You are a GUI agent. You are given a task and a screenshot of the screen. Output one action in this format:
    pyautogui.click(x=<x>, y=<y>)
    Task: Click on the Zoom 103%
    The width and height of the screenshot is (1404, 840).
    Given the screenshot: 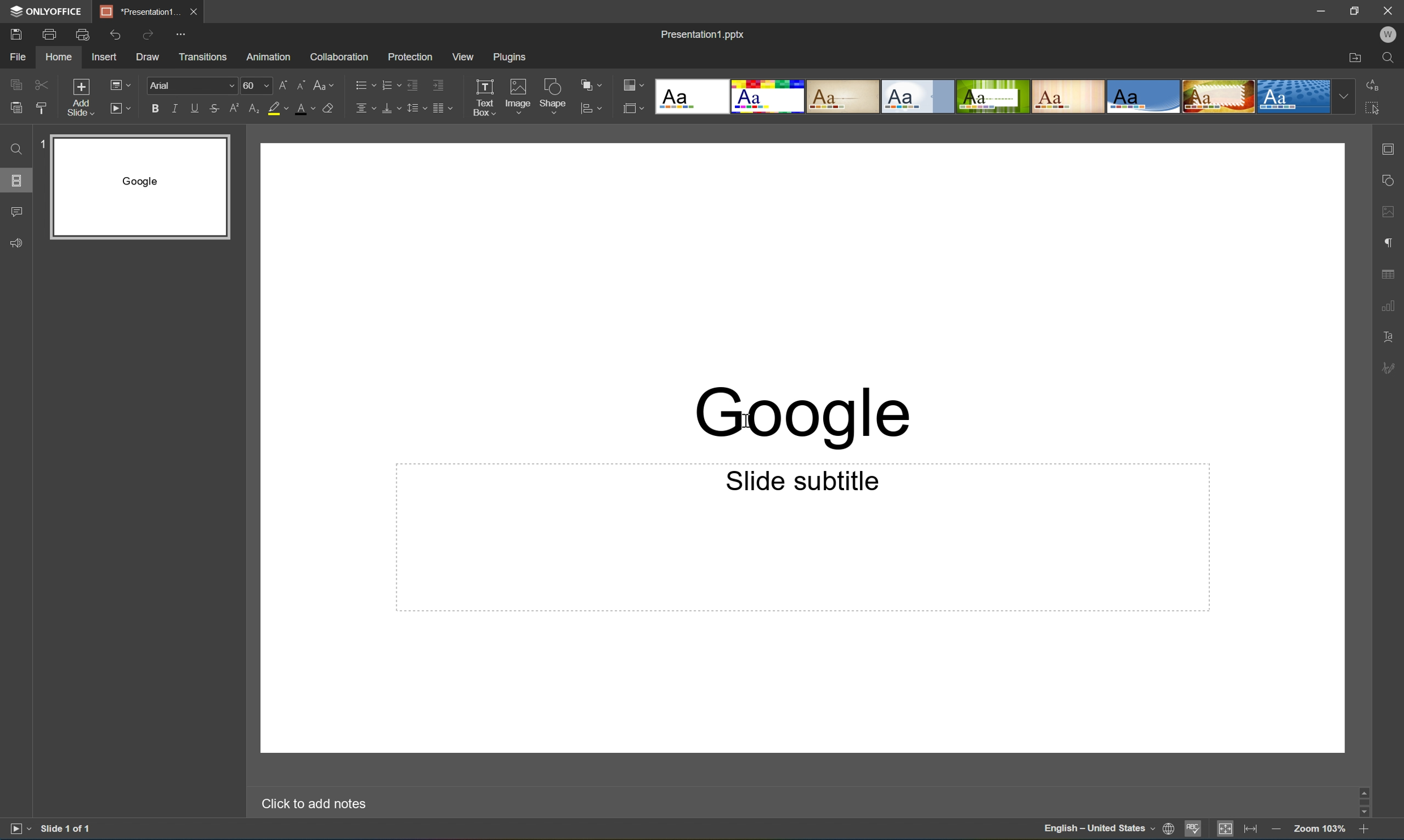 What is the action you would take?
    pyautogui.click(x=1321, y=828)
    